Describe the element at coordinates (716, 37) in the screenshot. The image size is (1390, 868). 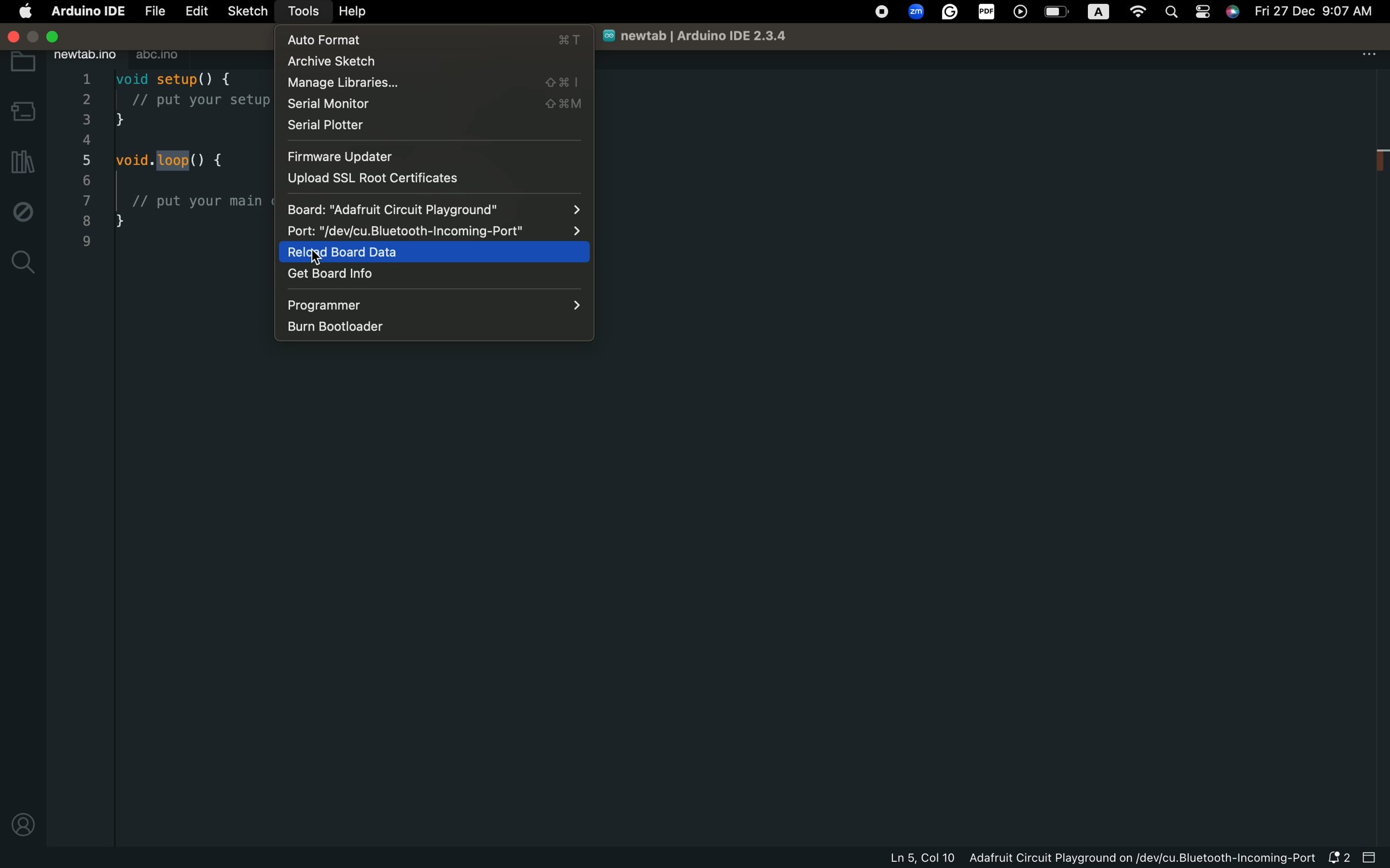
I see `newtab | Arduino IDE 2.3.4` at that location.